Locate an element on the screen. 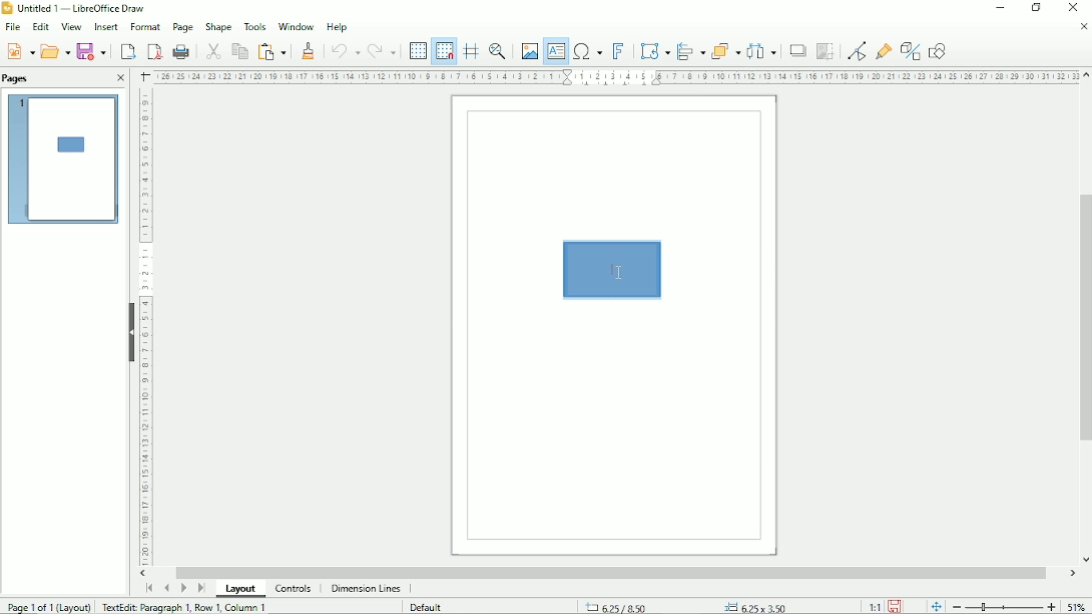 The height and width of the screenshot is (614, 1092). Untitled 1 - LibreOffice Draw is located at coordinates (77, 7).